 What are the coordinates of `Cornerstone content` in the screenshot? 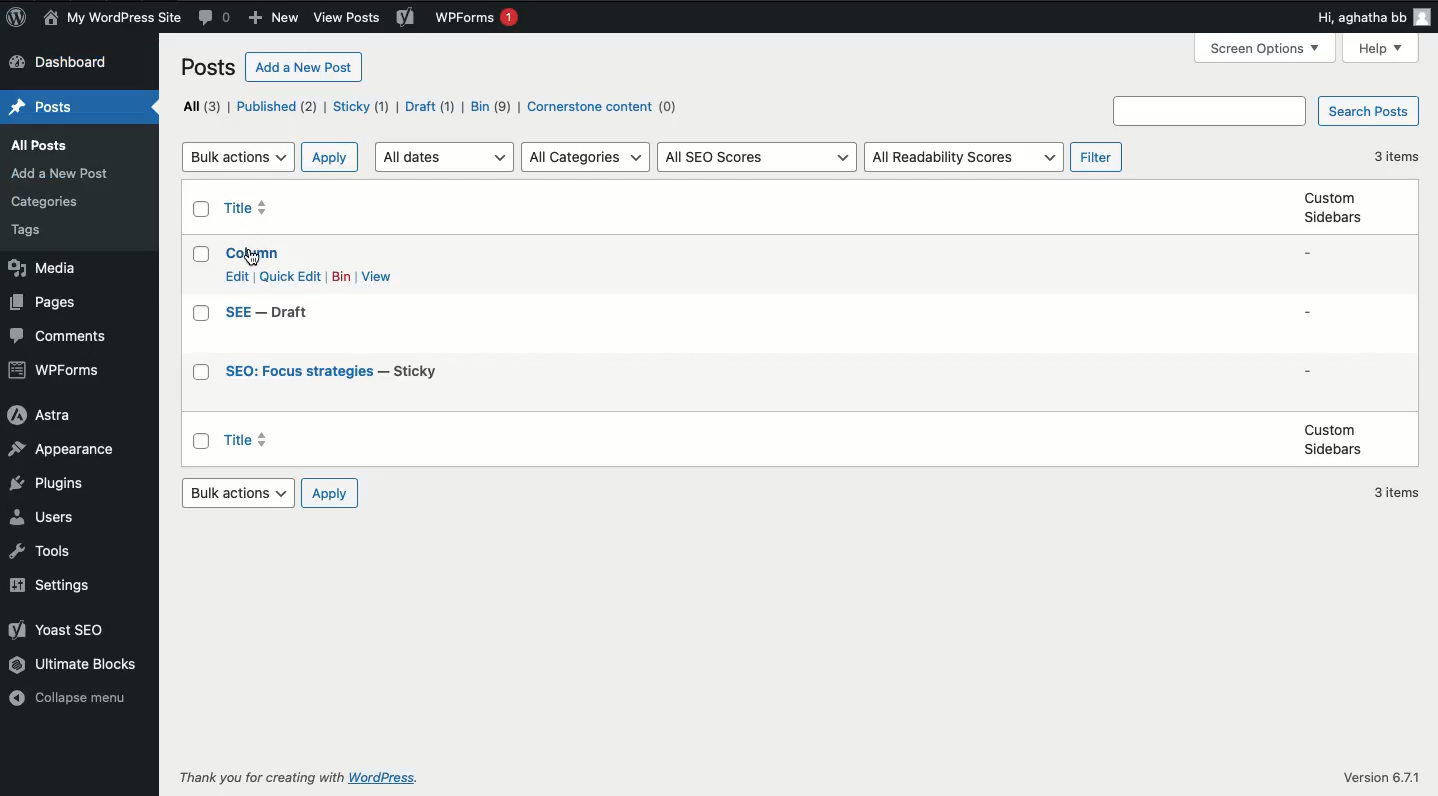 It's located at (607, 107).